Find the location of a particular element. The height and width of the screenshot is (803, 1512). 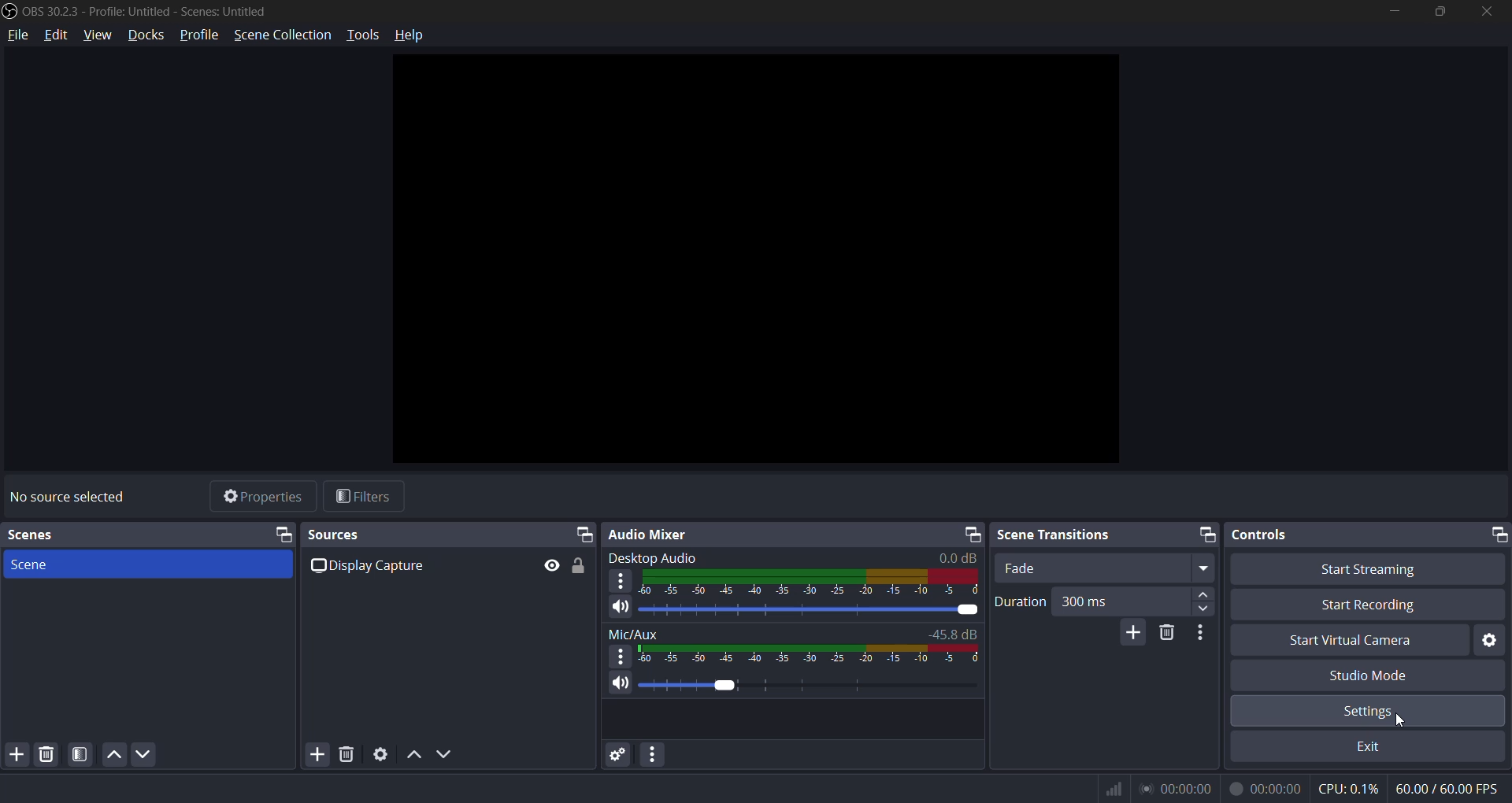

properties is located at coordinates (262, 498).